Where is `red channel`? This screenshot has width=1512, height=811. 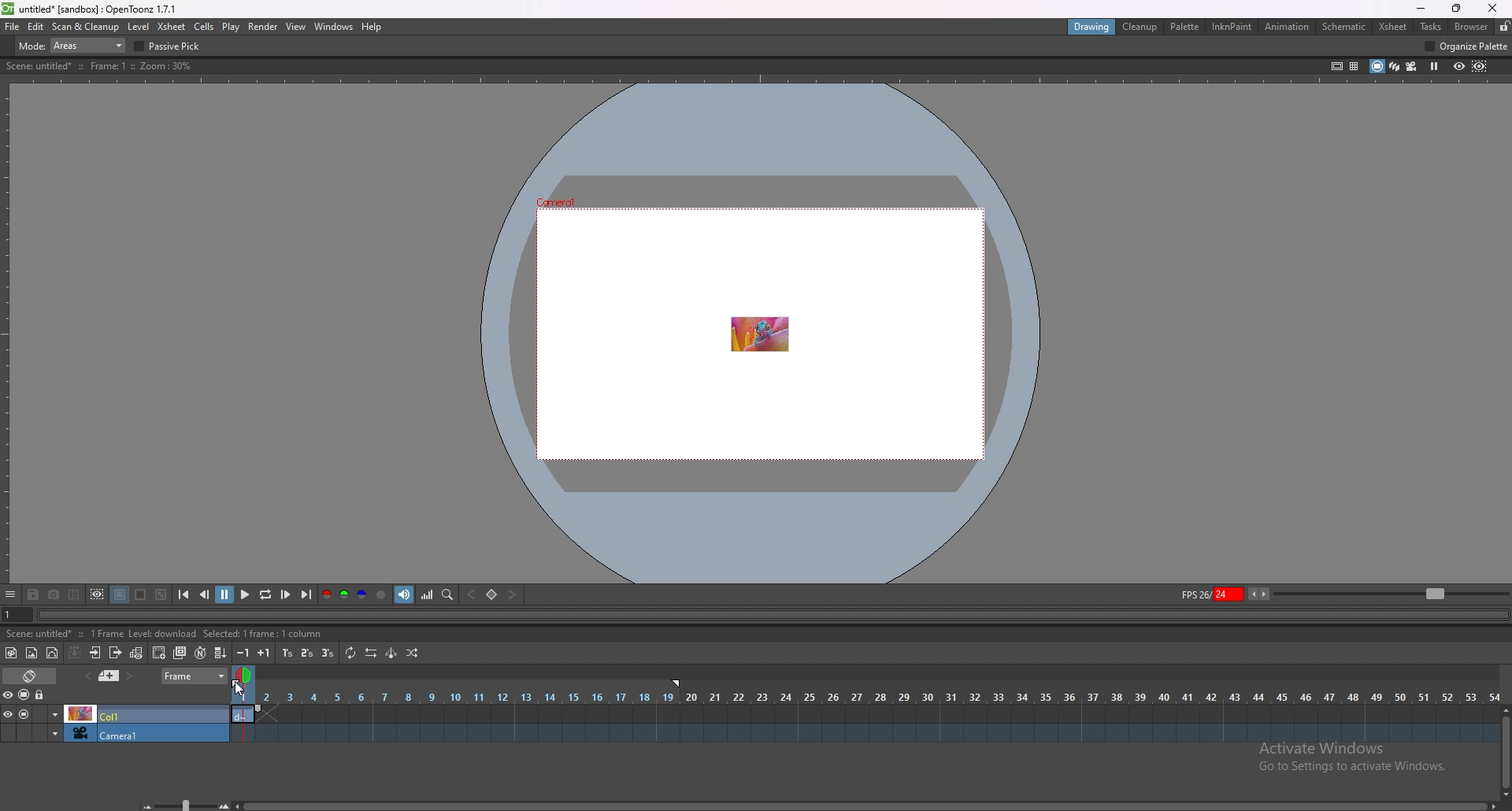 red channel is located at coordinates (326, 594).